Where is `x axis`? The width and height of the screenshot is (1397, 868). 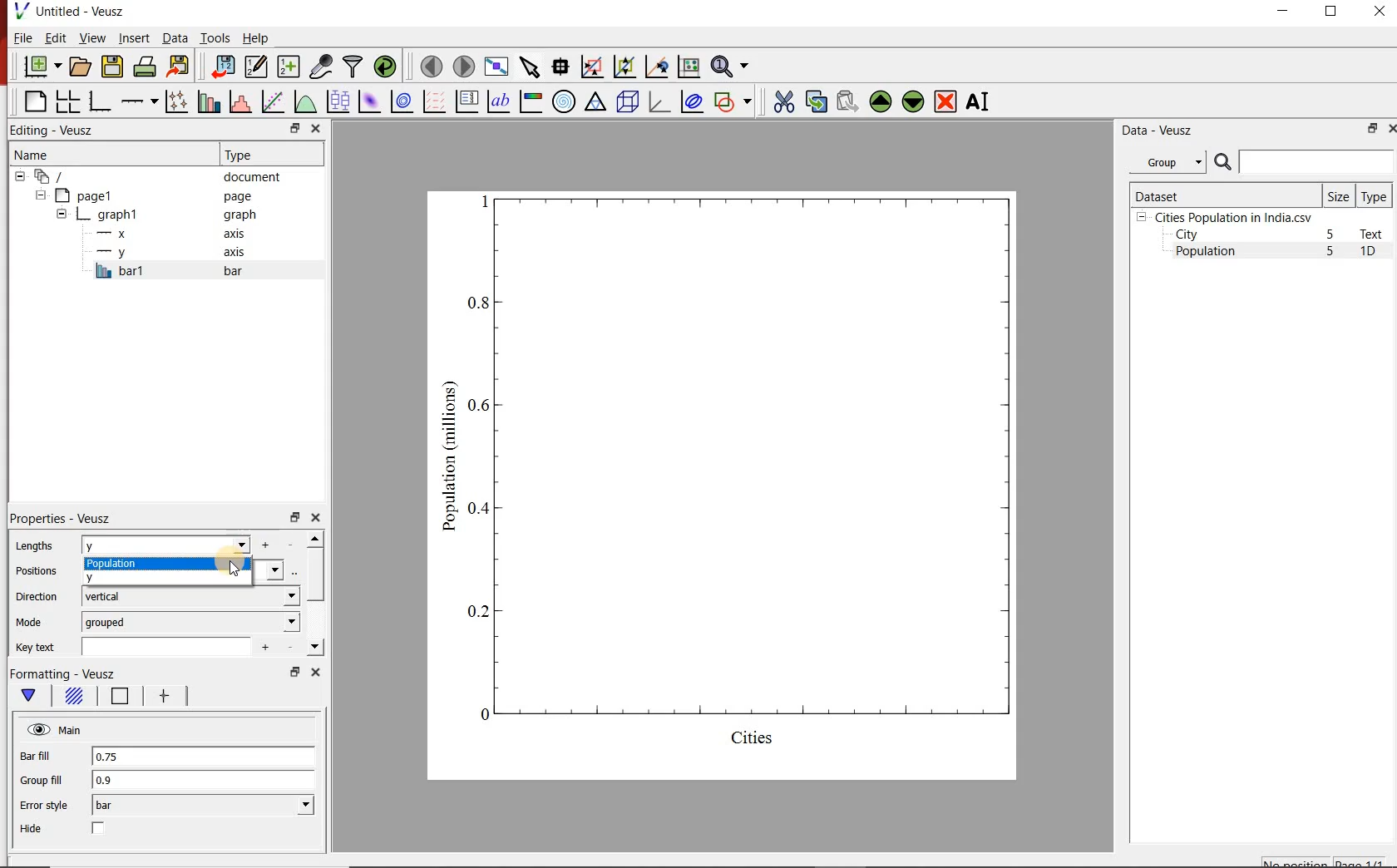 x axis is located at coordinates (173, 234).